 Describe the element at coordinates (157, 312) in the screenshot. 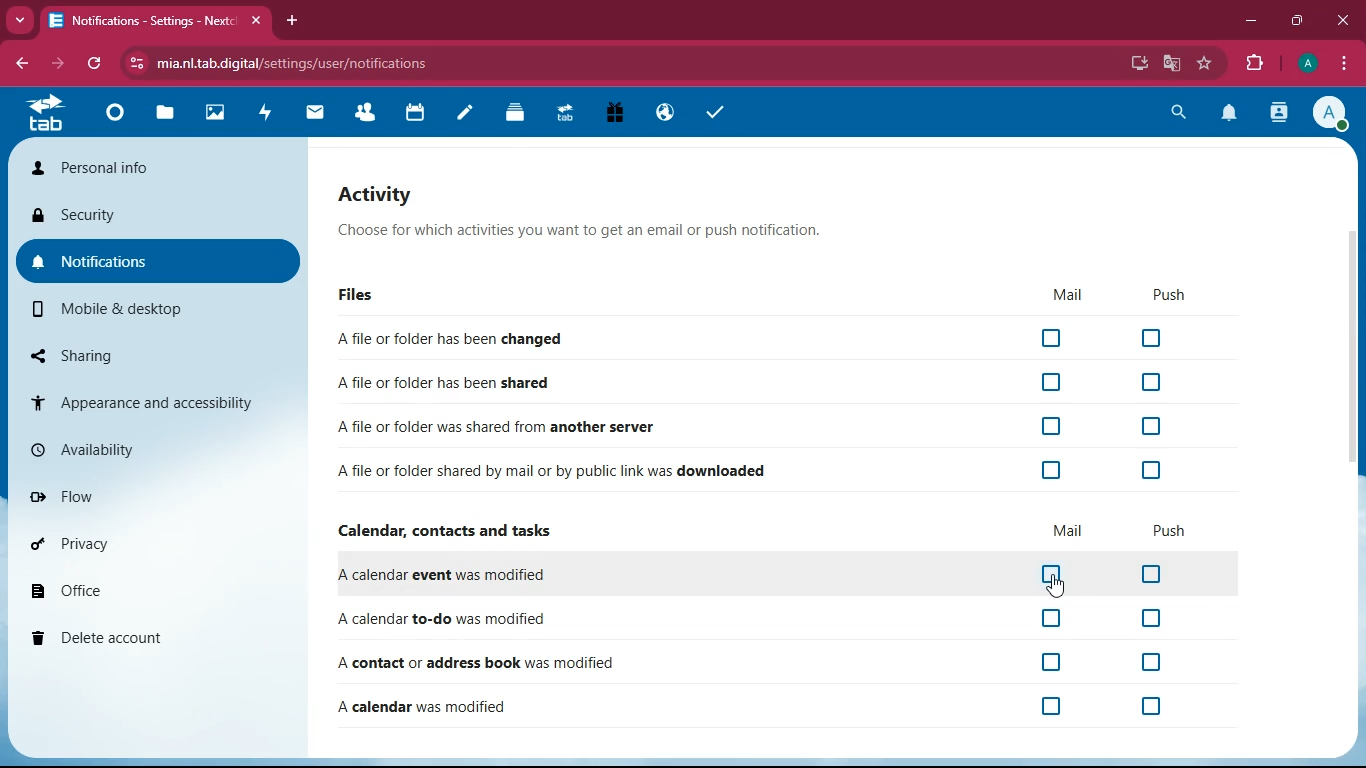

I see `mobile` at that location.